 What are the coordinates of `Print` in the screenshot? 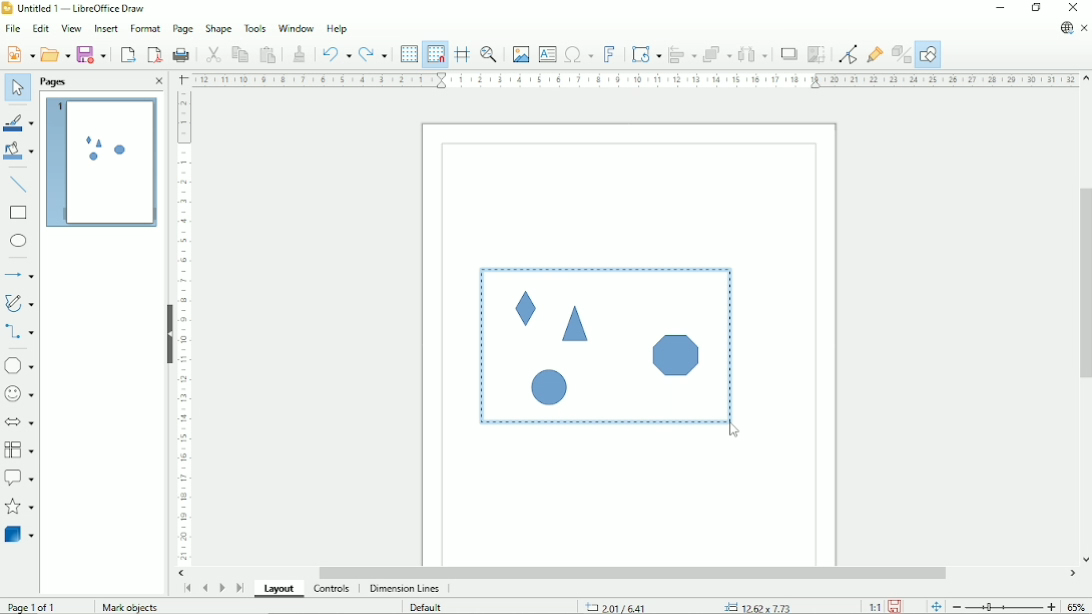 It's located at (181, 52).